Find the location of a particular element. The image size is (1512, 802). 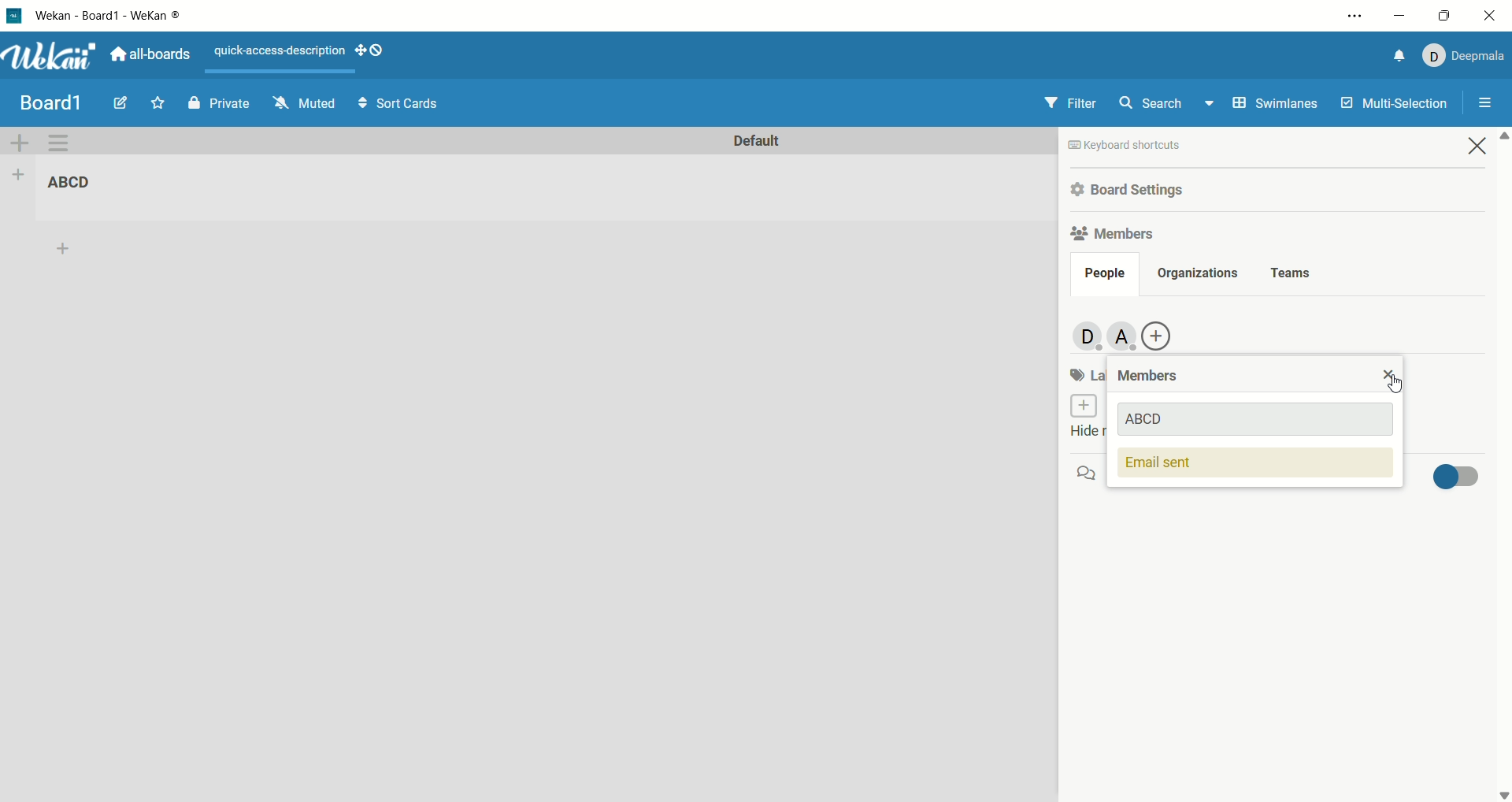

people is located at coordinates (1104, 276).